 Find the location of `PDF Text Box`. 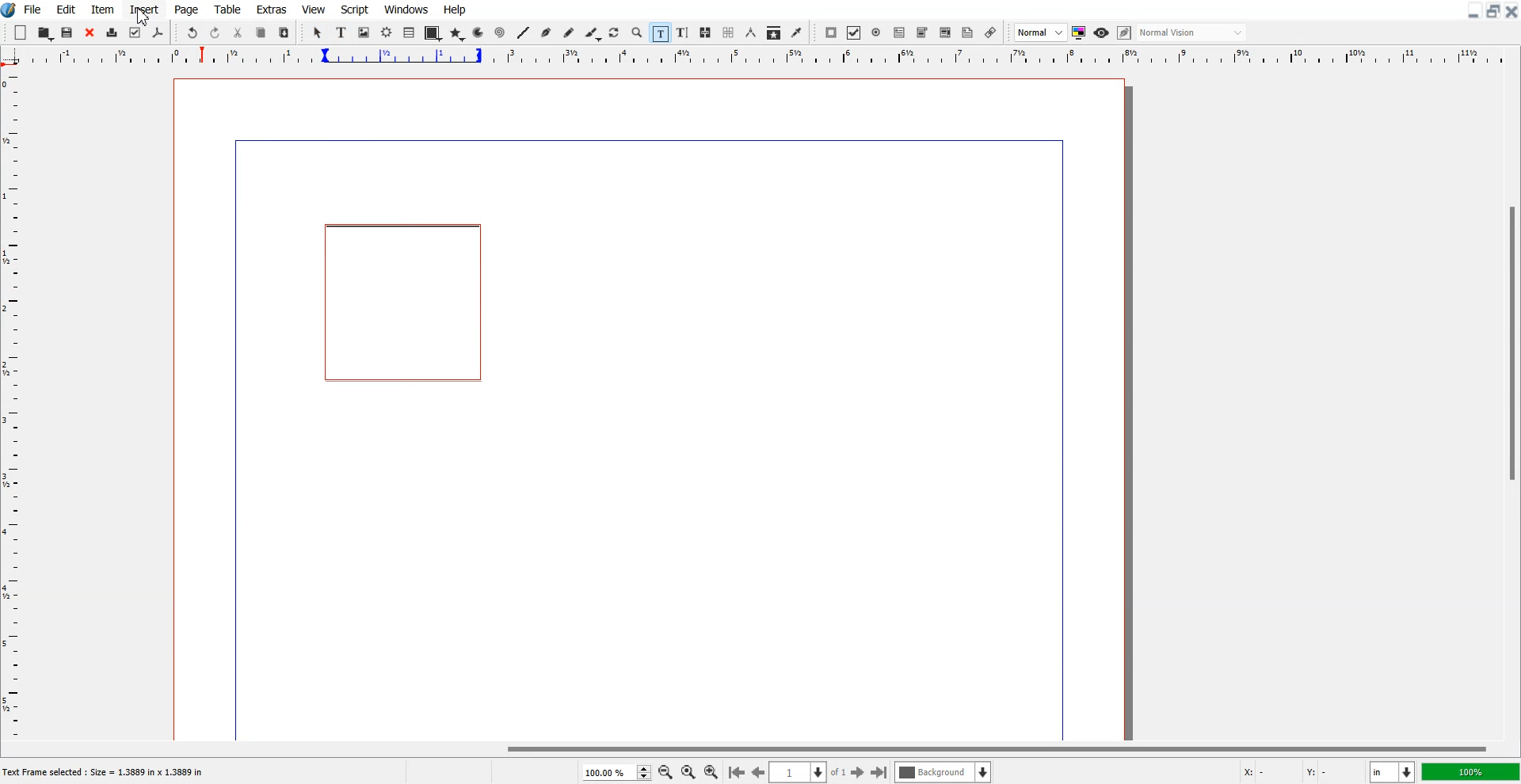

PDF Text Box is located at coordinates (899, 32).